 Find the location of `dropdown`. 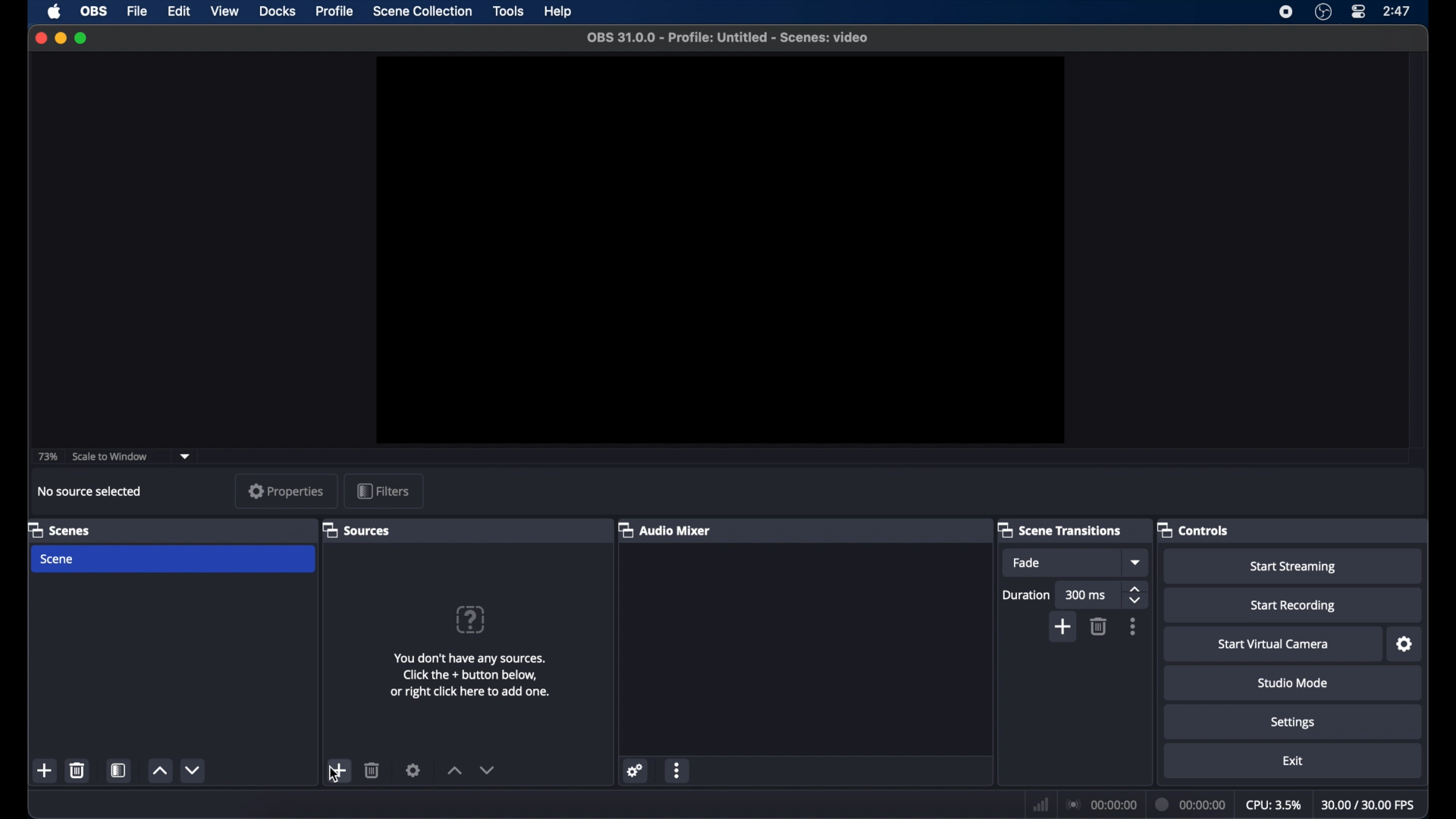

dropdown is located at coordinates (186, 457).